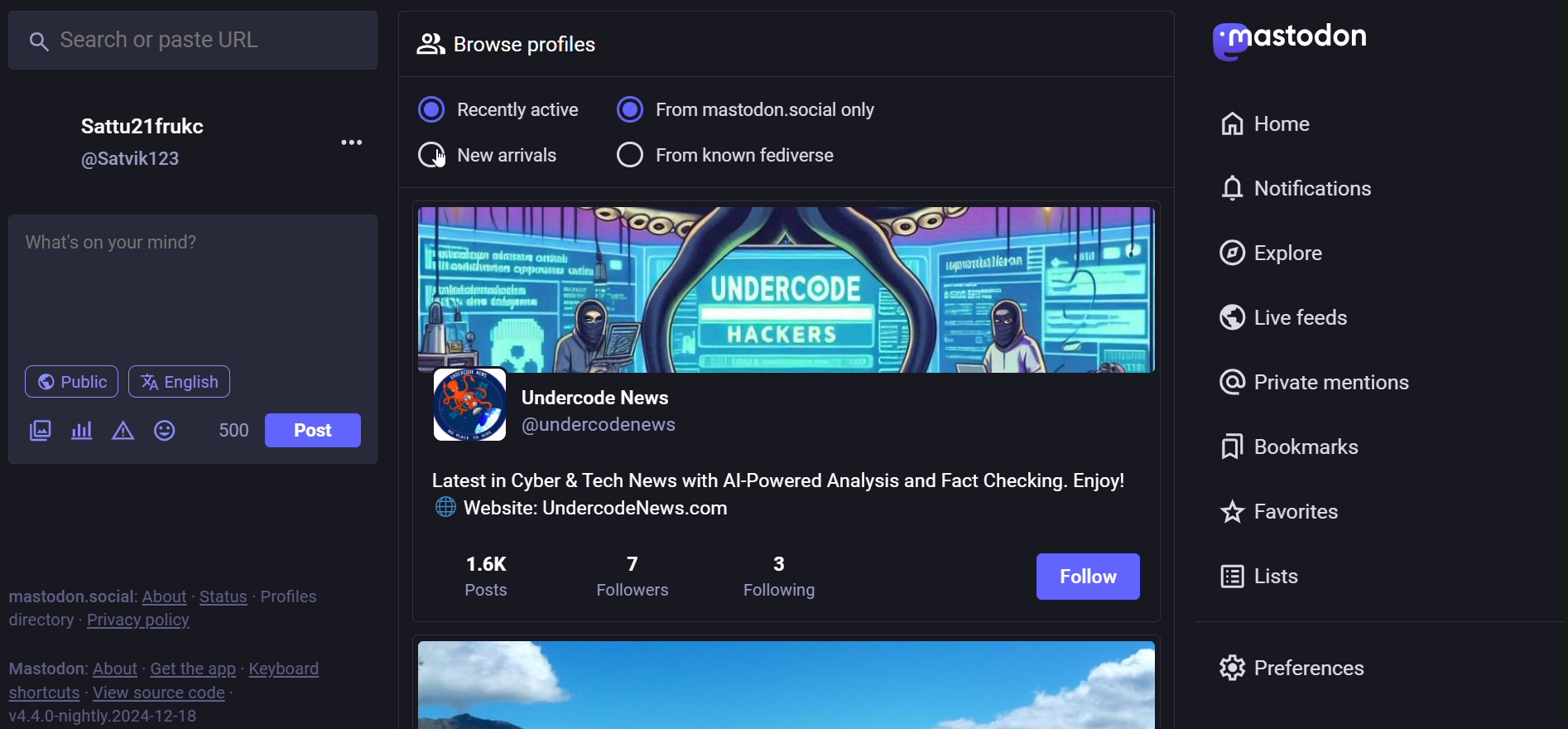 The image size is (1568, 729). Describe the element at coordinates (785, 680) in the screenshot. I see `image` at that location.